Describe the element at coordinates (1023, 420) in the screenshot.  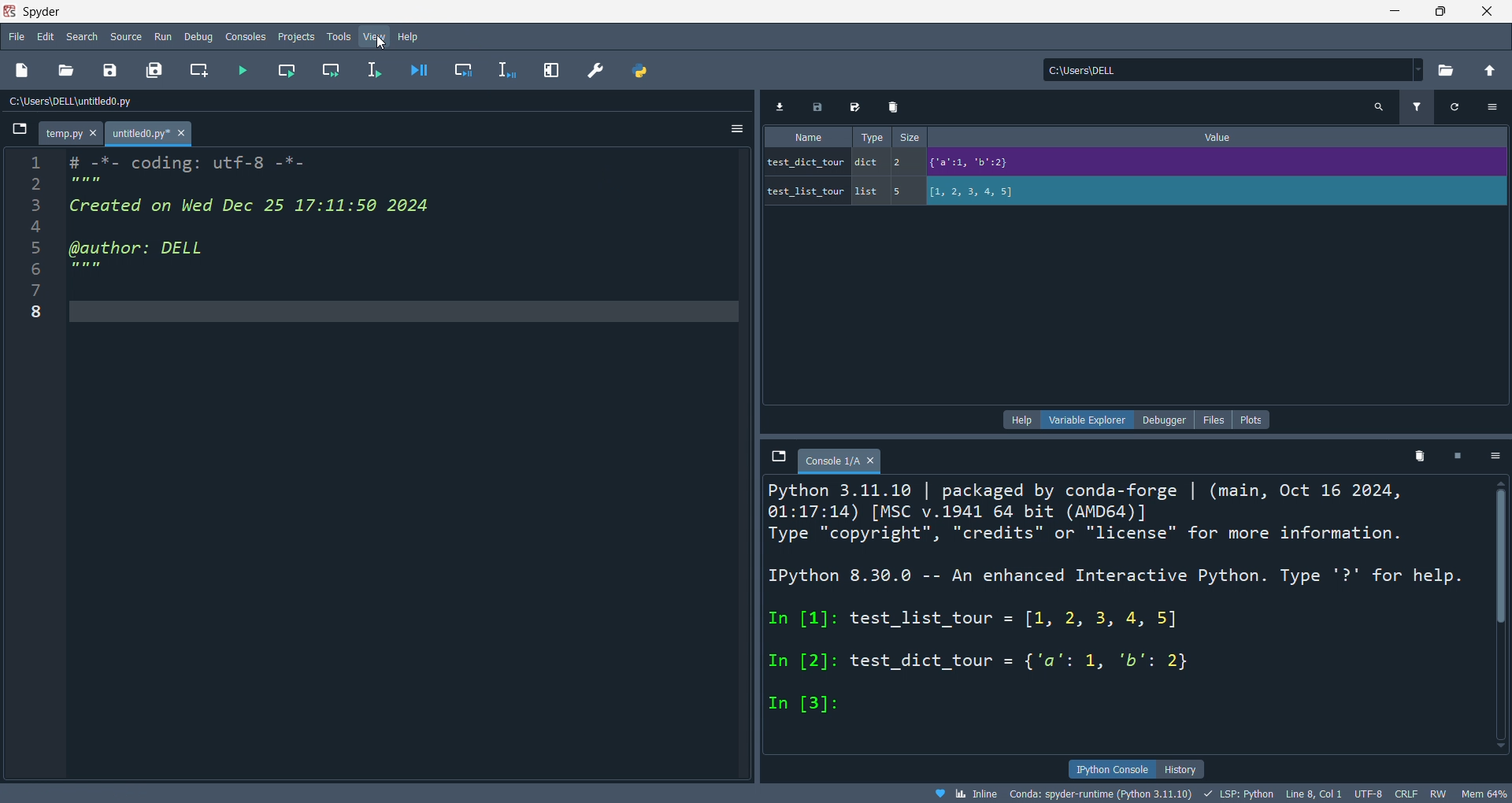
I see `help` at that location.